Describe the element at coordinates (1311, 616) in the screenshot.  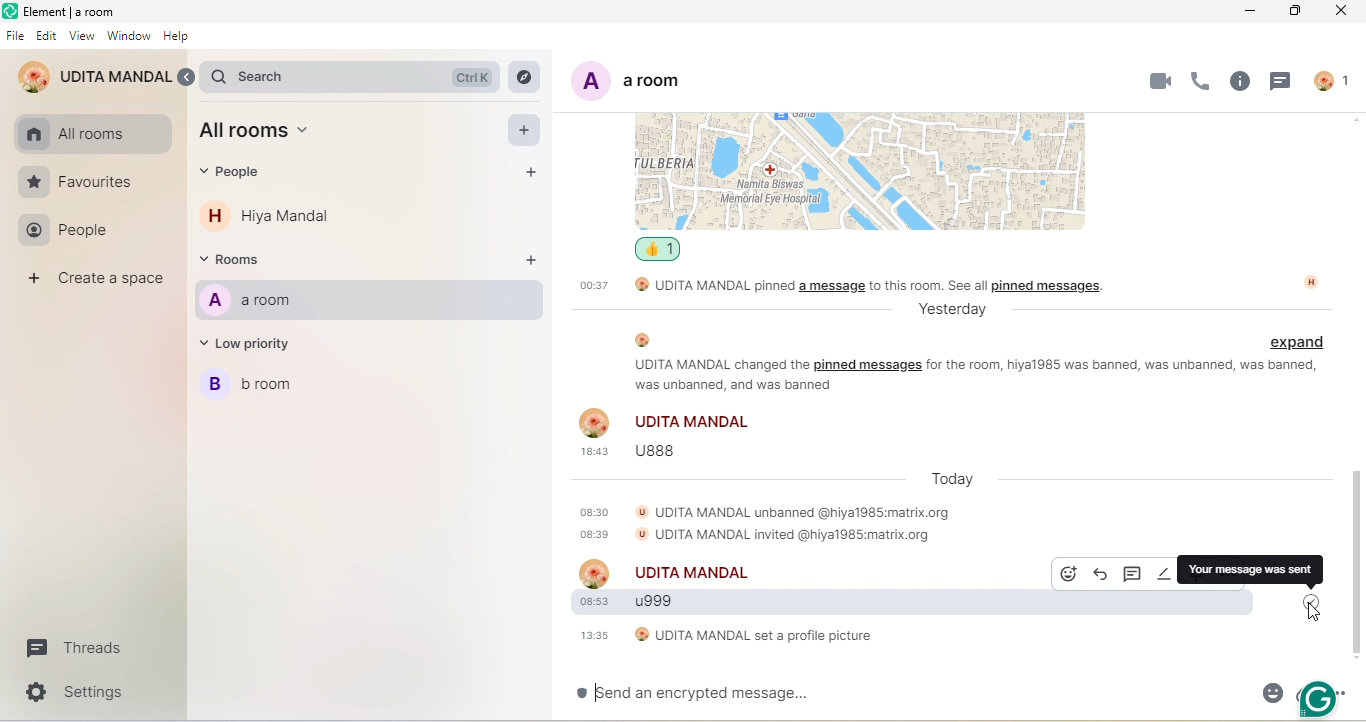
I see `Cursor` at that location.